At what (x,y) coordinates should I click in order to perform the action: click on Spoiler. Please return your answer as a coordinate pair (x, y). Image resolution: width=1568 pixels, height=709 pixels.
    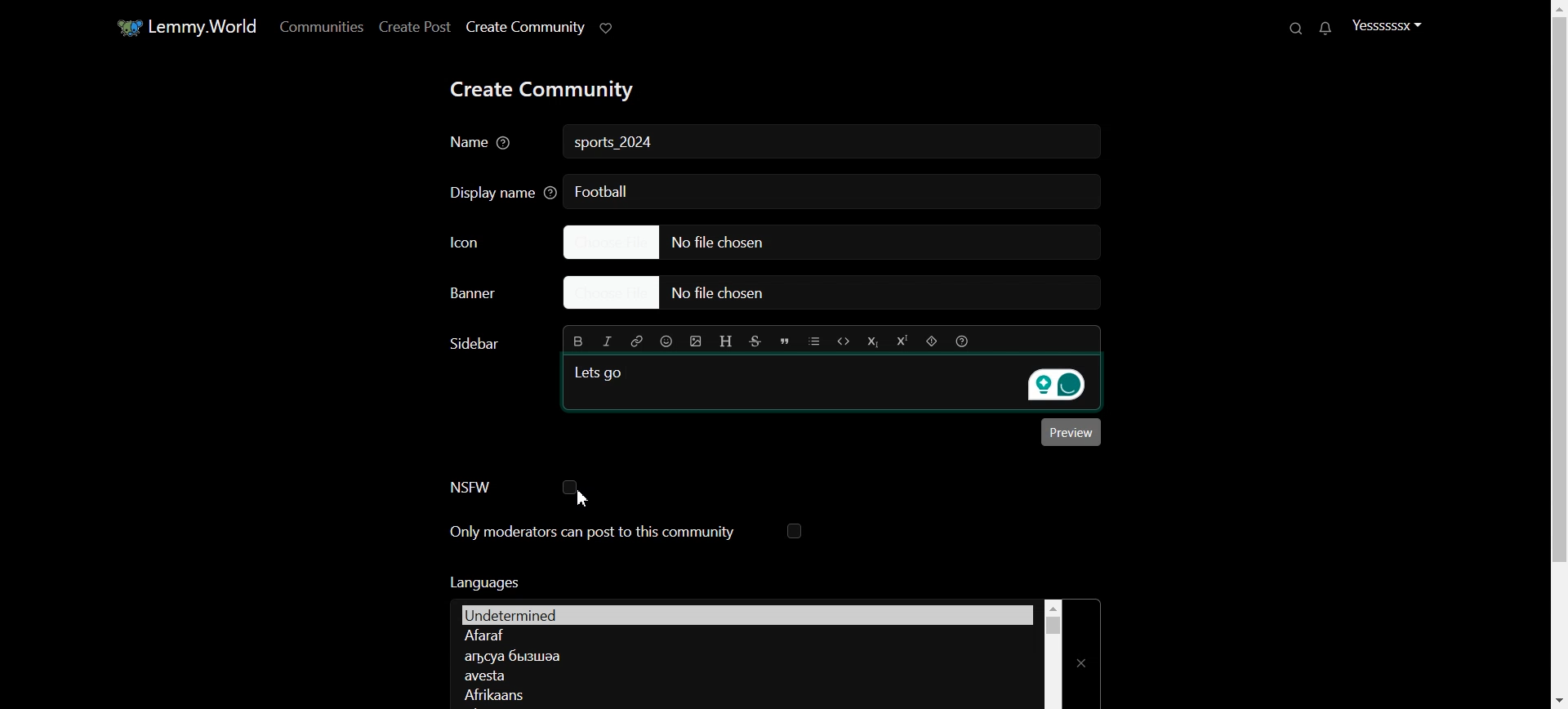
    Looking at the image, I should click on (932, 341).